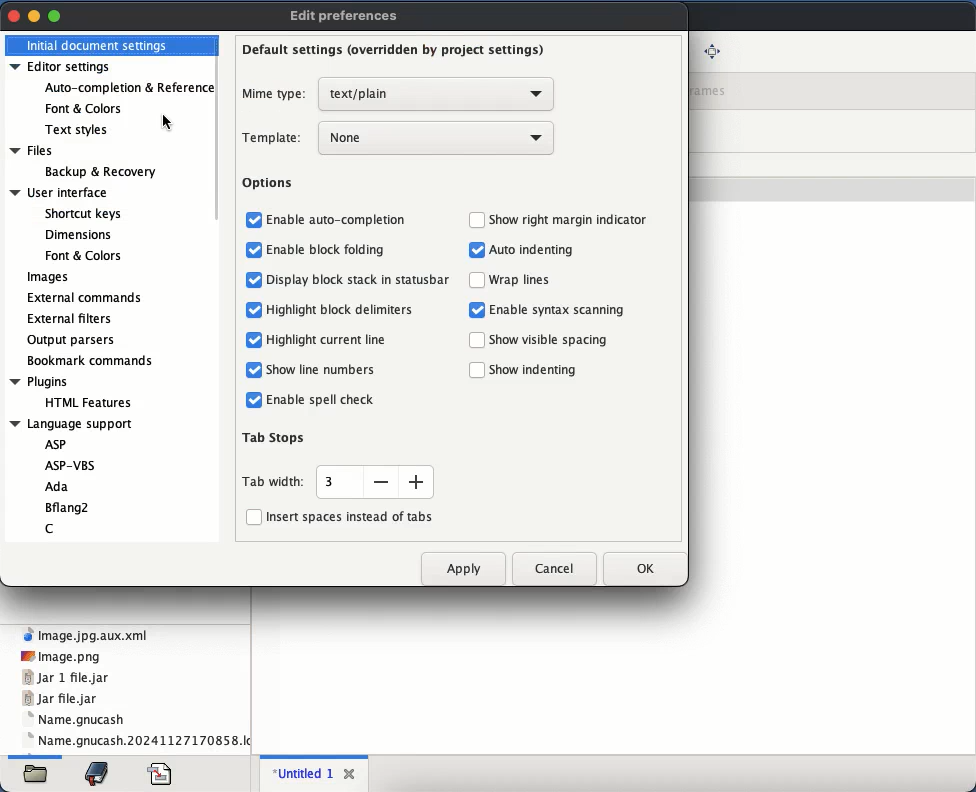  I want to click on checkbox, so click(252, 280).